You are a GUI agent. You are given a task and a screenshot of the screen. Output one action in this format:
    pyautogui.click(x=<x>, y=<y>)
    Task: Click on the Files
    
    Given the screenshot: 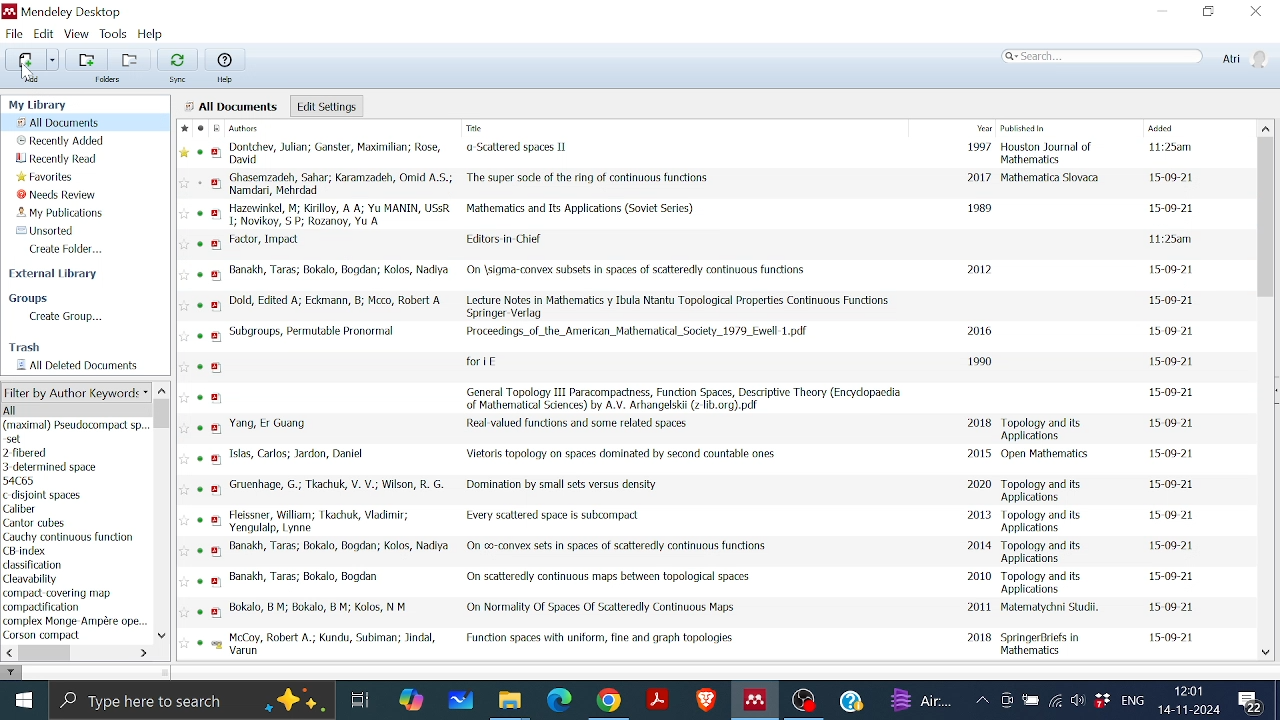 What is the action you would take?
    pyautogui.click(x=511, y=700)
    